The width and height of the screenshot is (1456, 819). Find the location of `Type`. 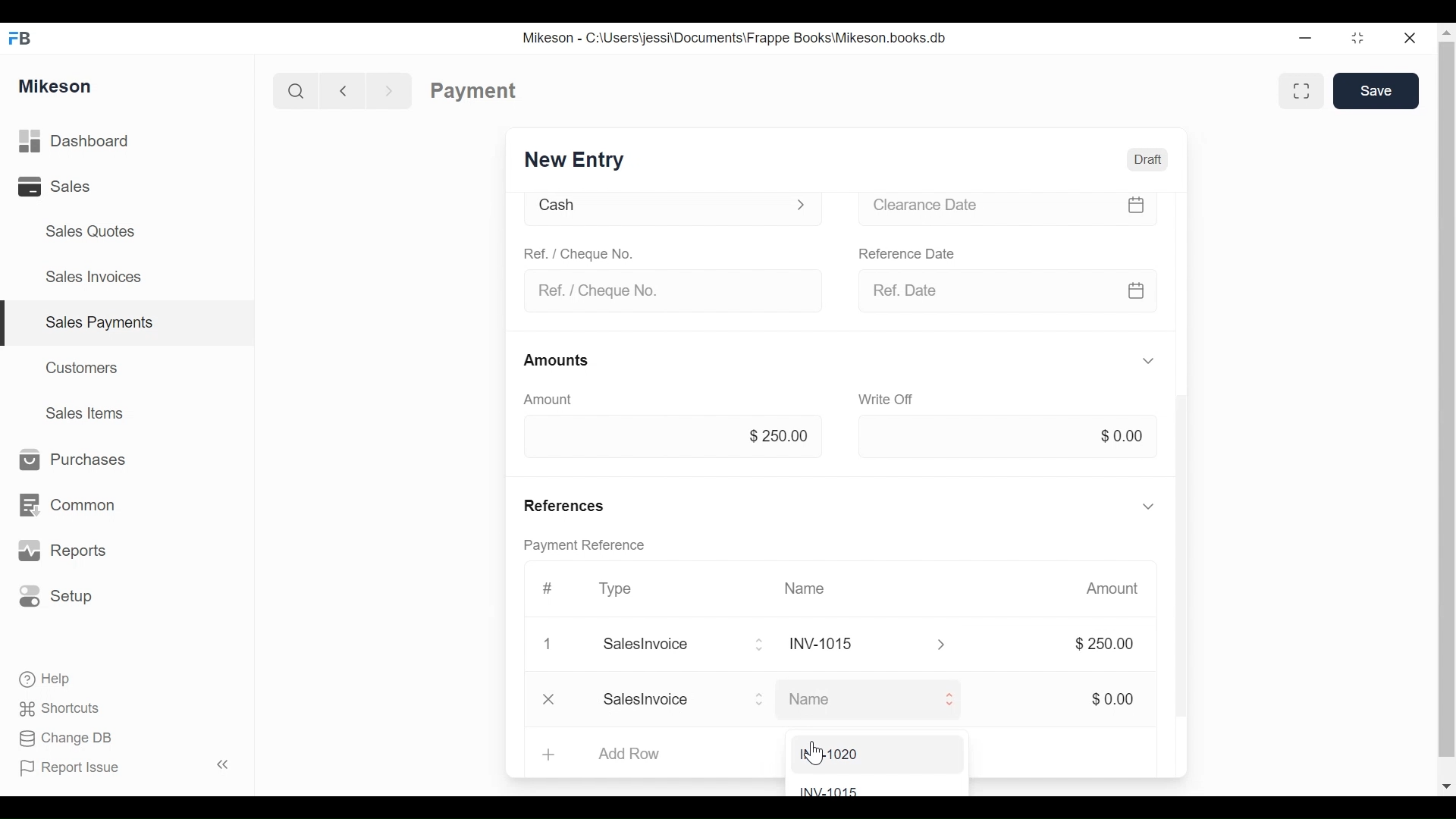

Type is located at coordinates (626, 588).